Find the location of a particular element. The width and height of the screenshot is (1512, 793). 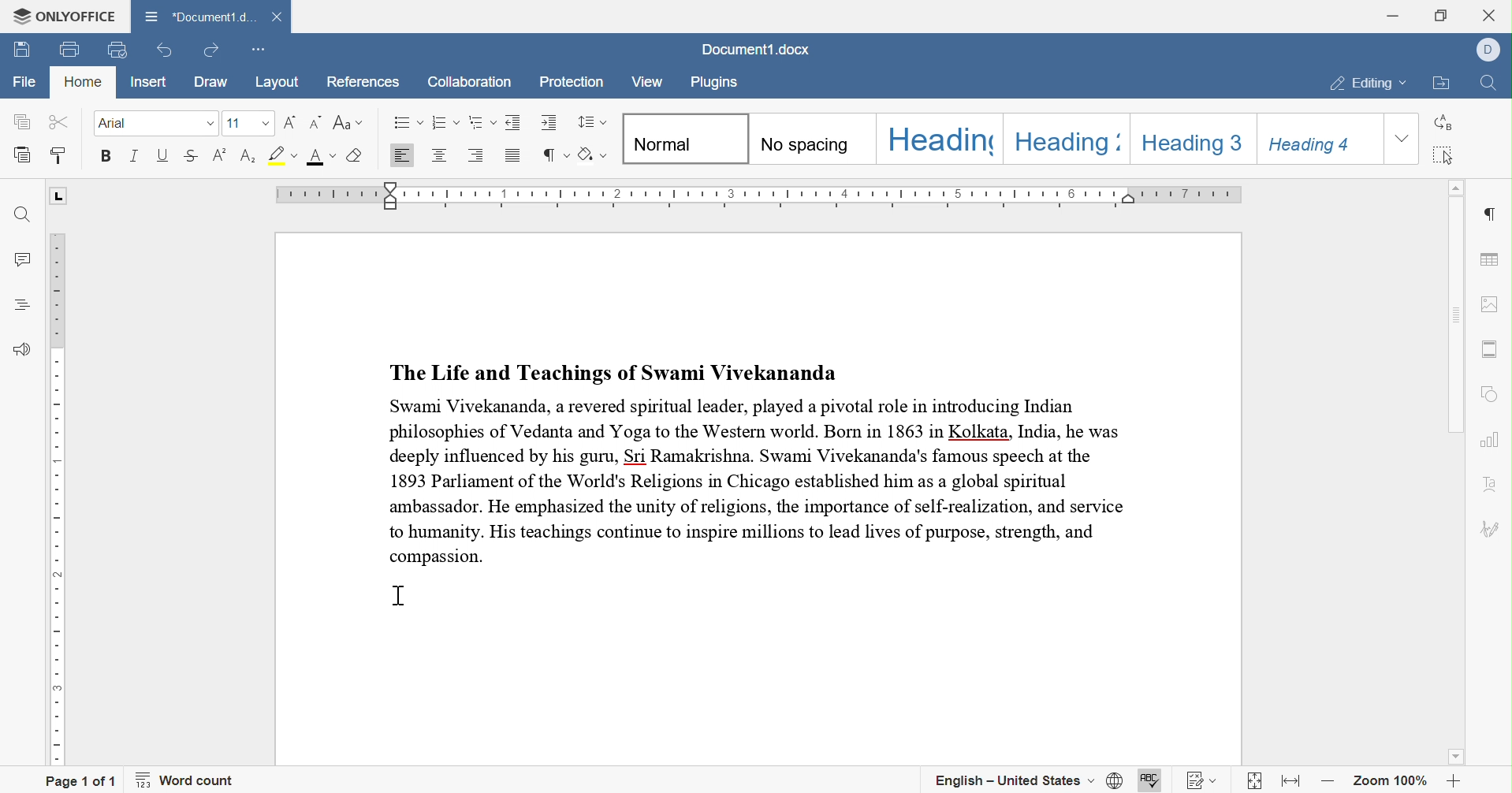

normal is located at coordinates (687, 139).